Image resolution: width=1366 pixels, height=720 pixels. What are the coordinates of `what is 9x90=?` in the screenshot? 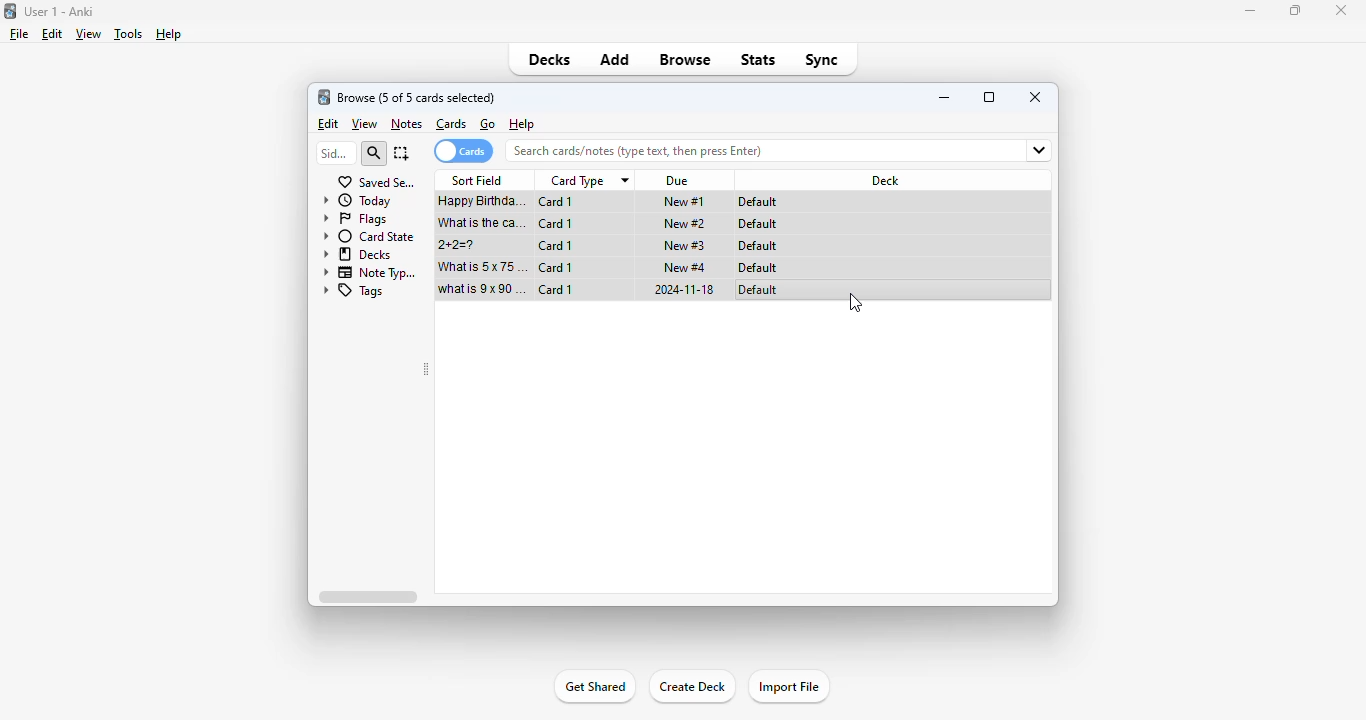 It's located at (482, 289).